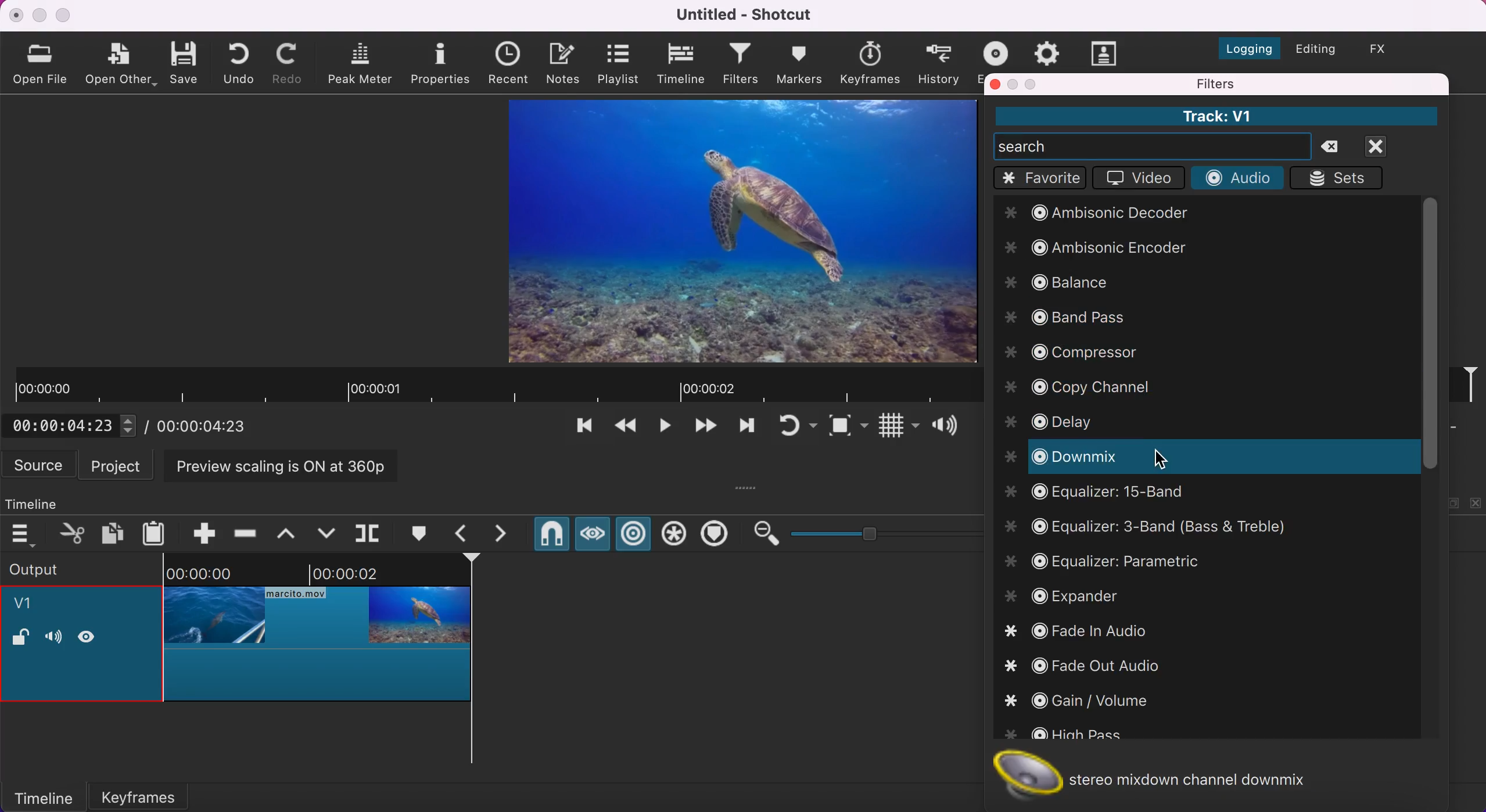 Image resolution: width=1486 pixels, height=812 pixels. What do you see at coordinates (119, 465) in the screenshot?
I see `project` at bounding box center [119, 465].